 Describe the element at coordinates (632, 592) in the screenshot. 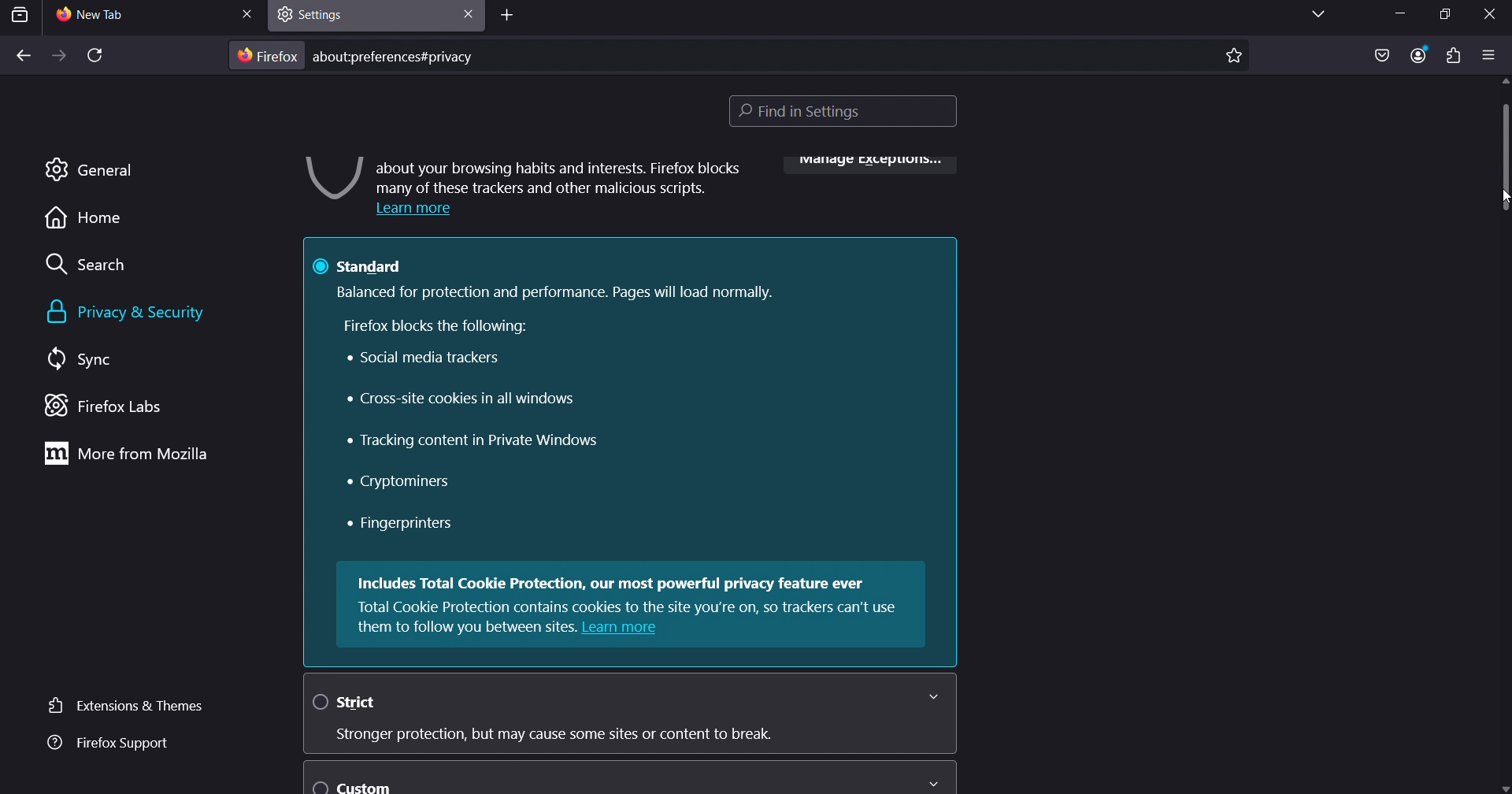

I see `Includes Total Cookie Protection, our most powerful privacy feature ever
Total Cookie Protection contains cookies to the site you're on, so trackers can't use` at that location.